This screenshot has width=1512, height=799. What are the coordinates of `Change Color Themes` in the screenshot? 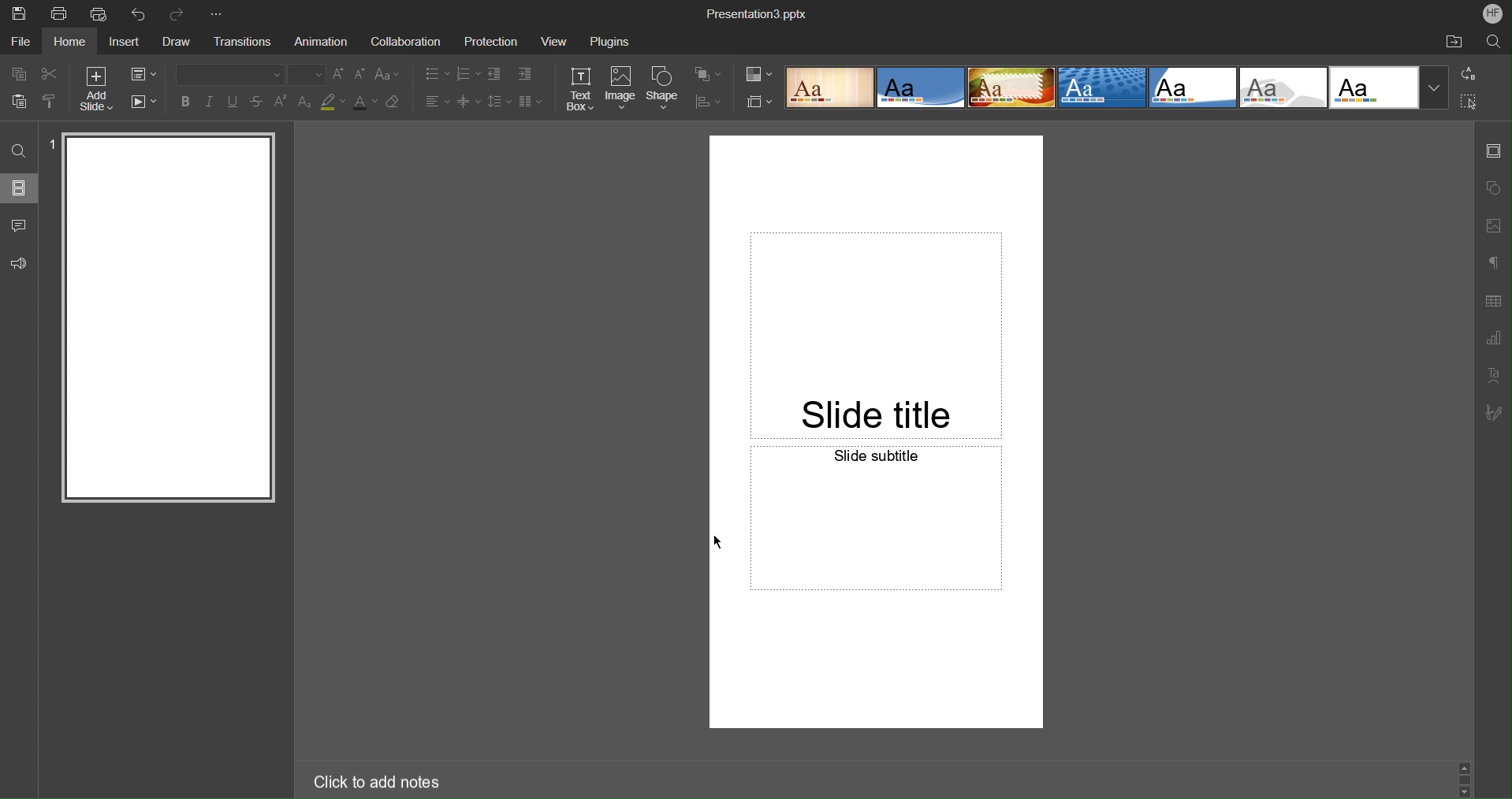 It's located at (758, 75).